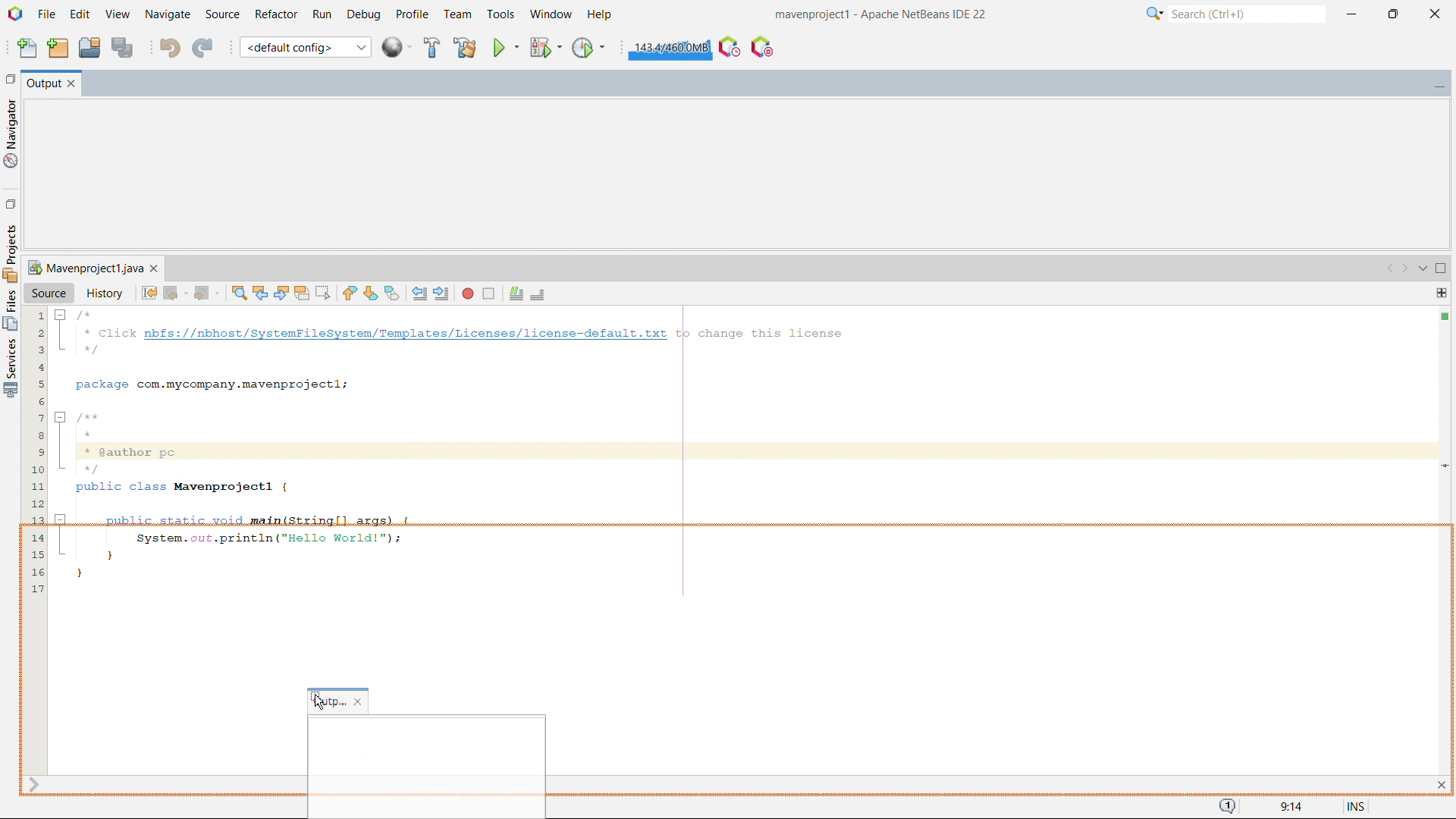 The width and height of the screenshot is (1456, 819). What do you see at coordinates (538, 295) in the screenshot?
I see `uncomment` at bounding box center [538, 295].